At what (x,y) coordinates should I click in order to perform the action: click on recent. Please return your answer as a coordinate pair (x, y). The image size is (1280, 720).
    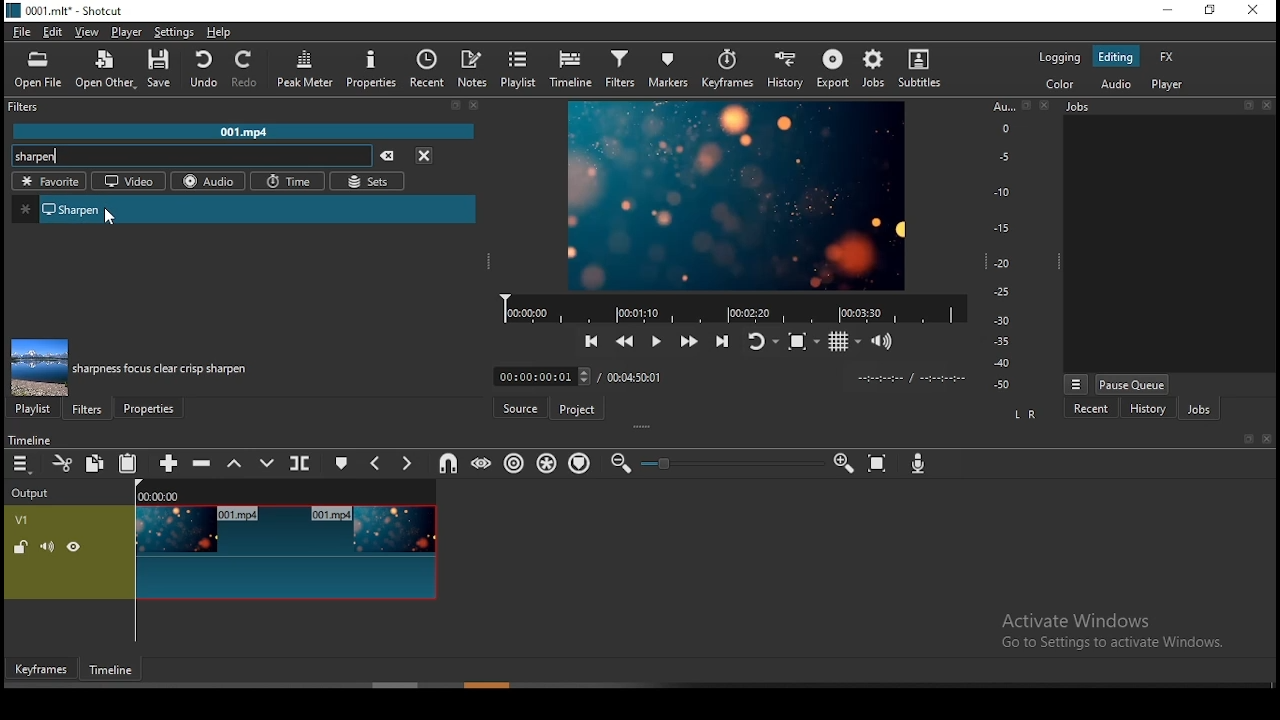
    Looking at the image, I should click on (1093, 408).